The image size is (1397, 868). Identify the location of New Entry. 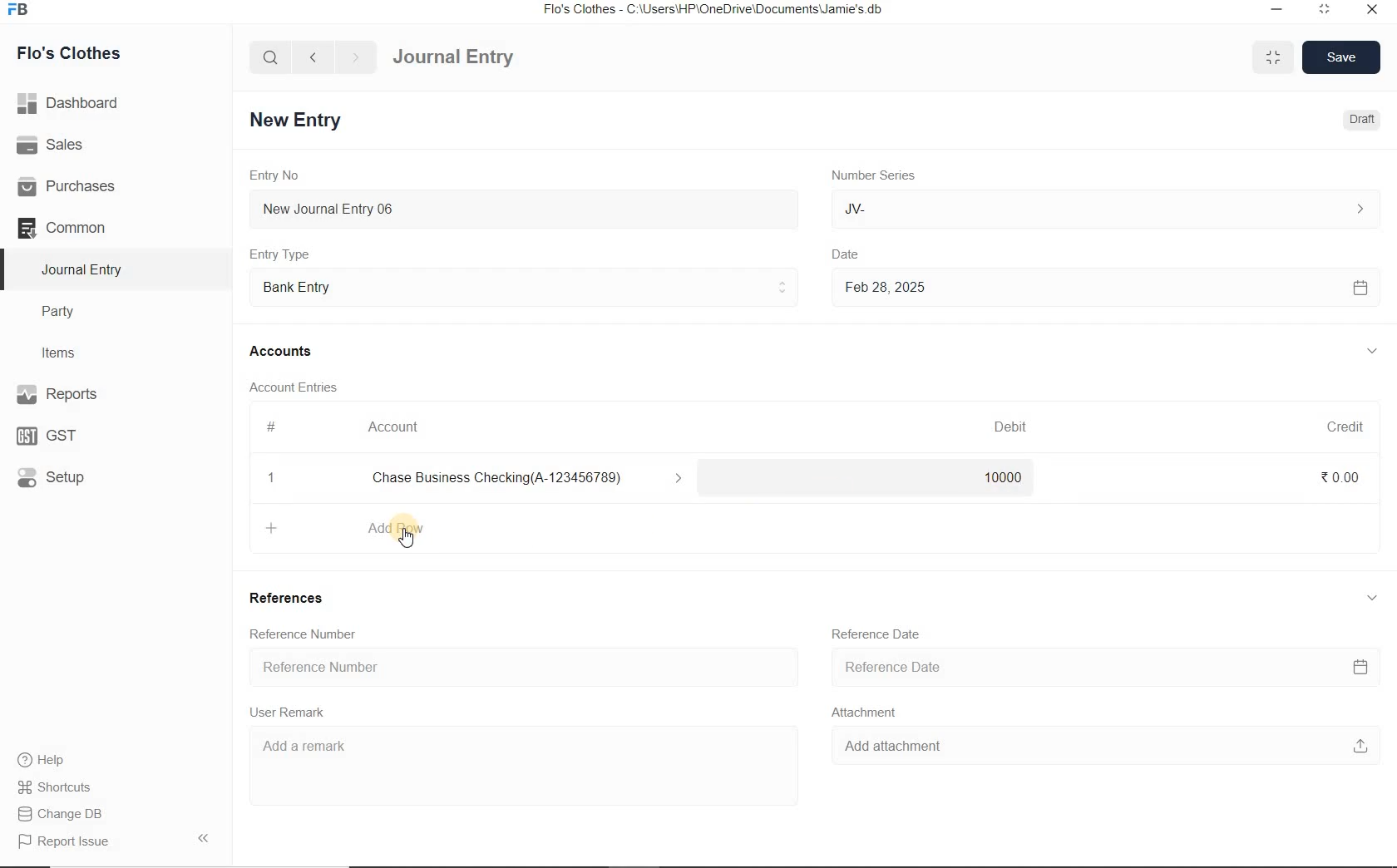
(299, 119).